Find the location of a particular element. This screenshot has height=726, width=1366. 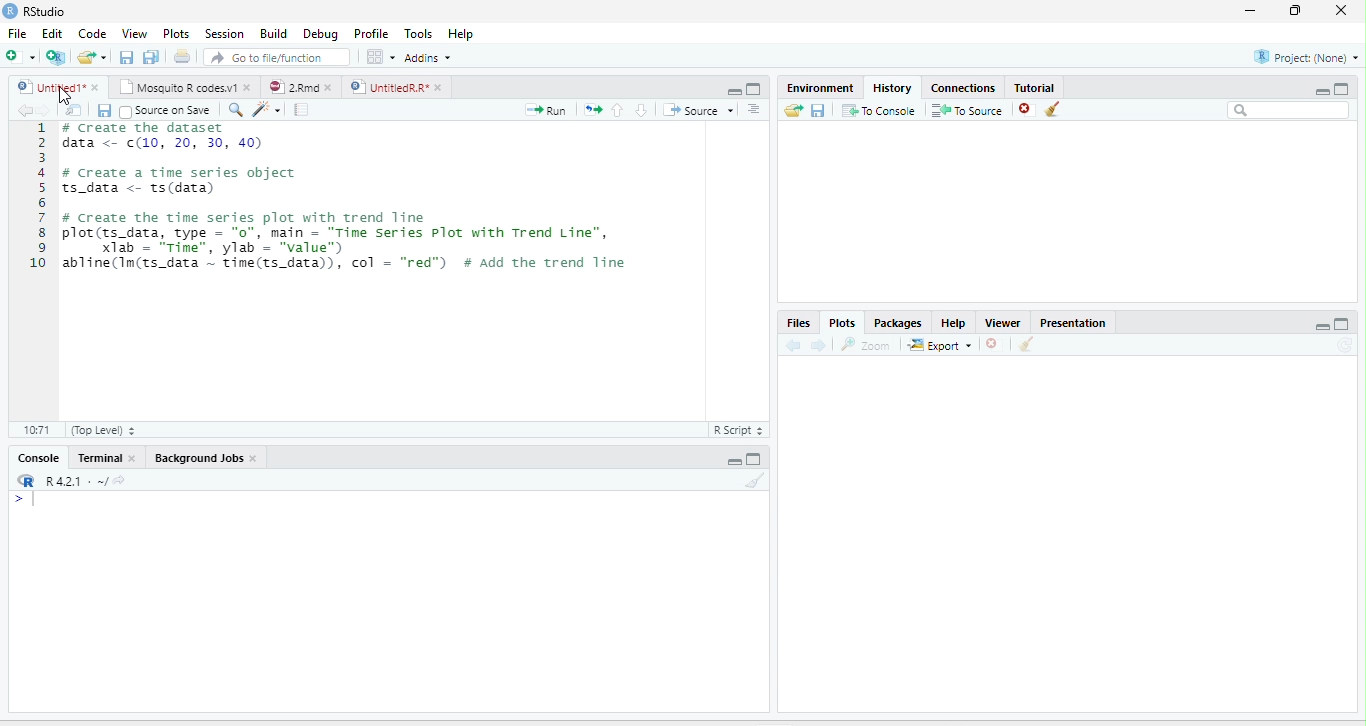

Compile Report is located at coordinates (302, 110).